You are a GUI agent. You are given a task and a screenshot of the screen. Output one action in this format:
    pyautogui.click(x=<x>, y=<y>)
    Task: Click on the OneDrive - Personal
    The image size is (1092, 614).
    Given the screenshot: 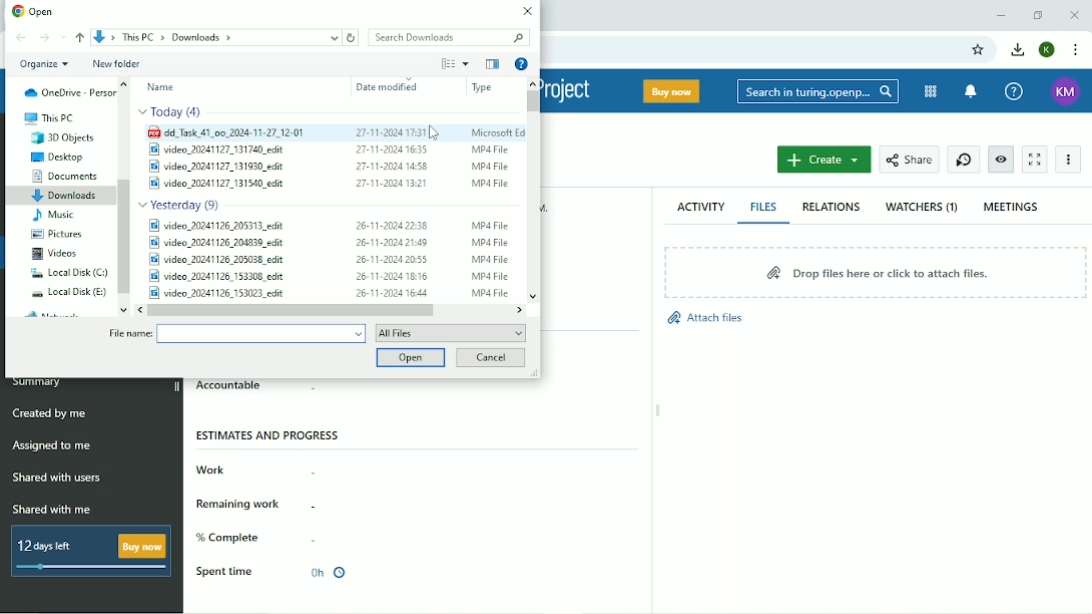 What is the action you would take?
    pyautogui.click(x=69, y=92)
    